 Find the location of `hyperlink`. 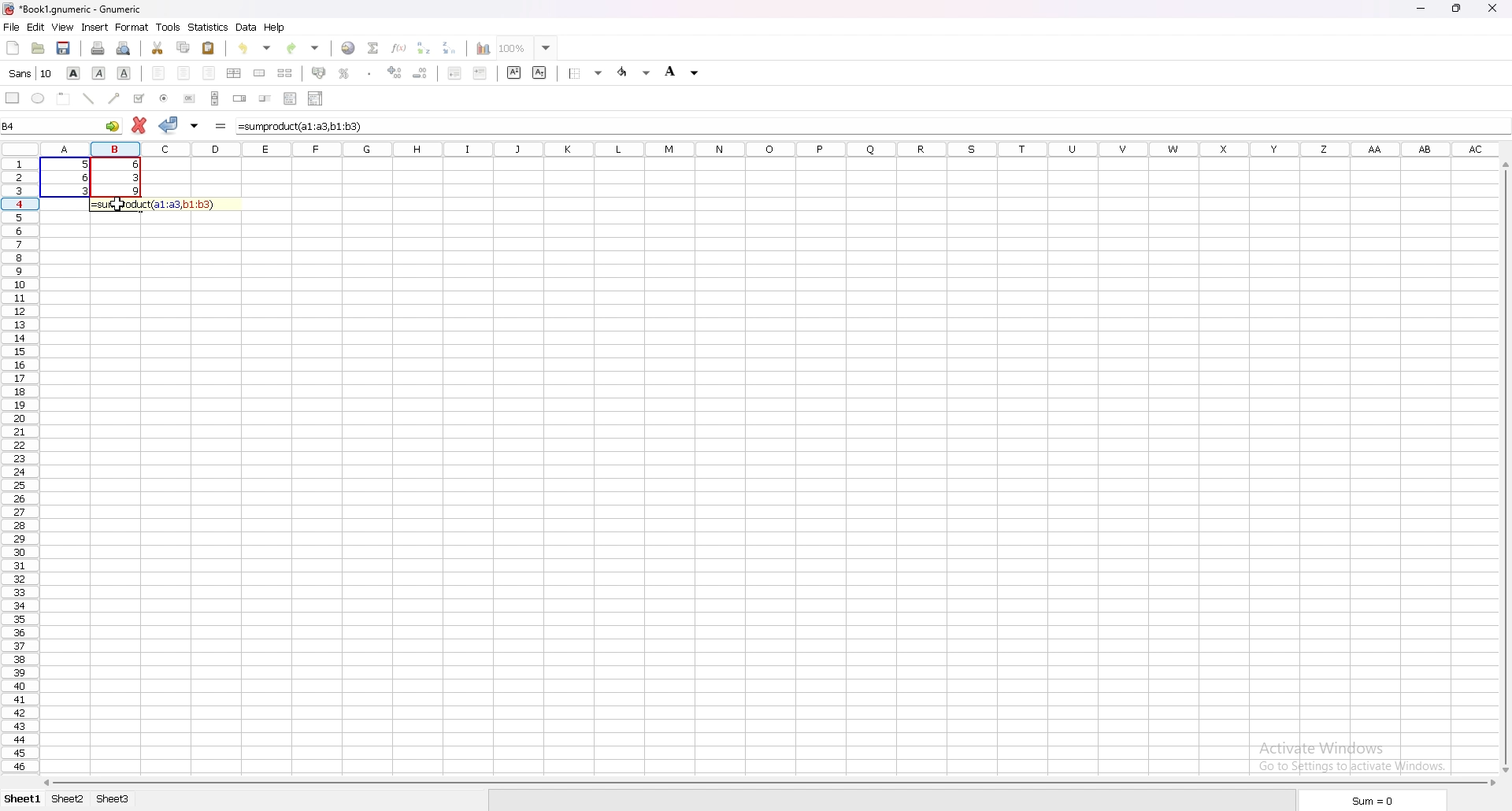

hyperlink is located at coordinates (349, 48).